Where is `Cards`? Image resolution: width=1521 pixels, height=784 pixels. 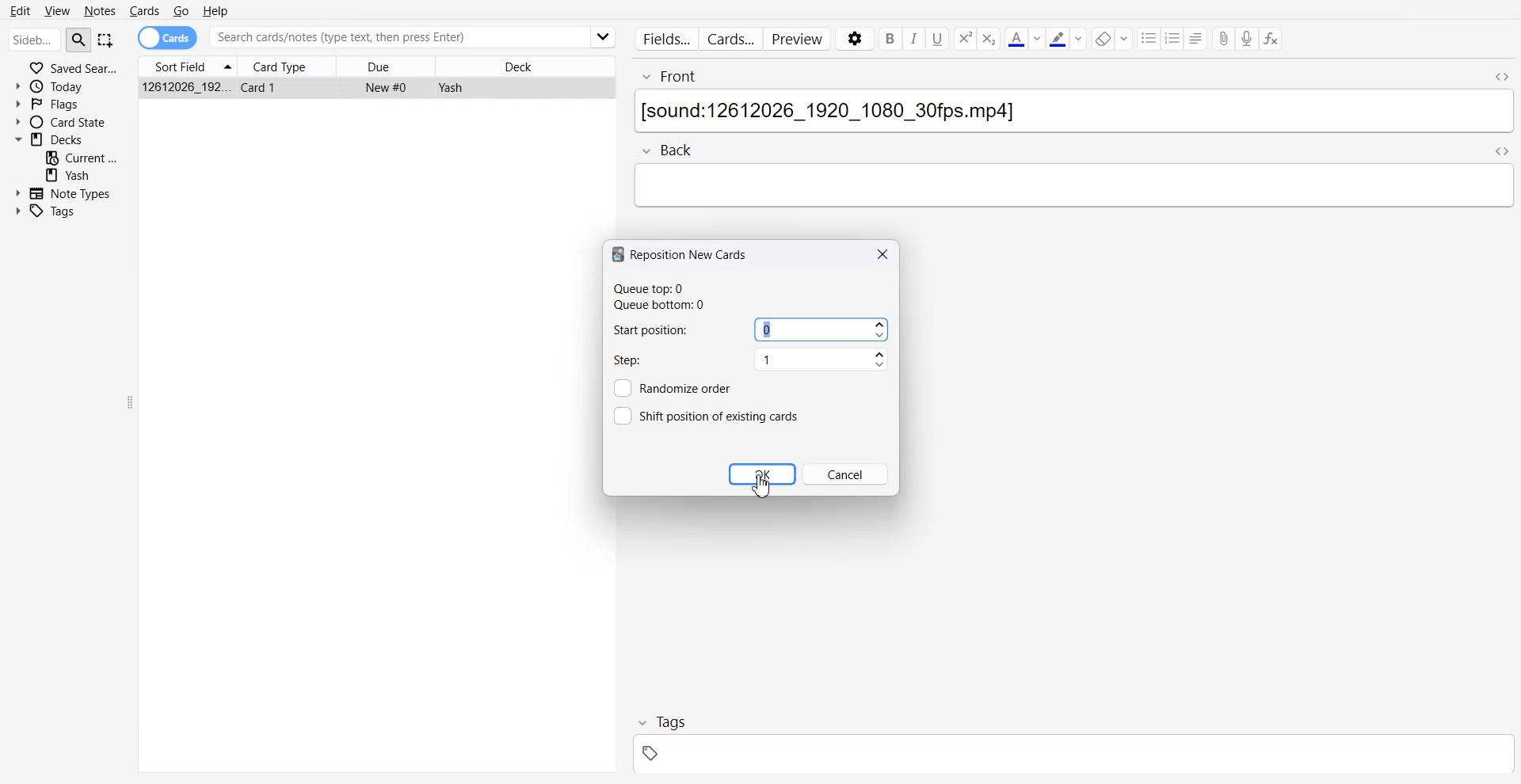 Cards is located at coordinates (731, 39).